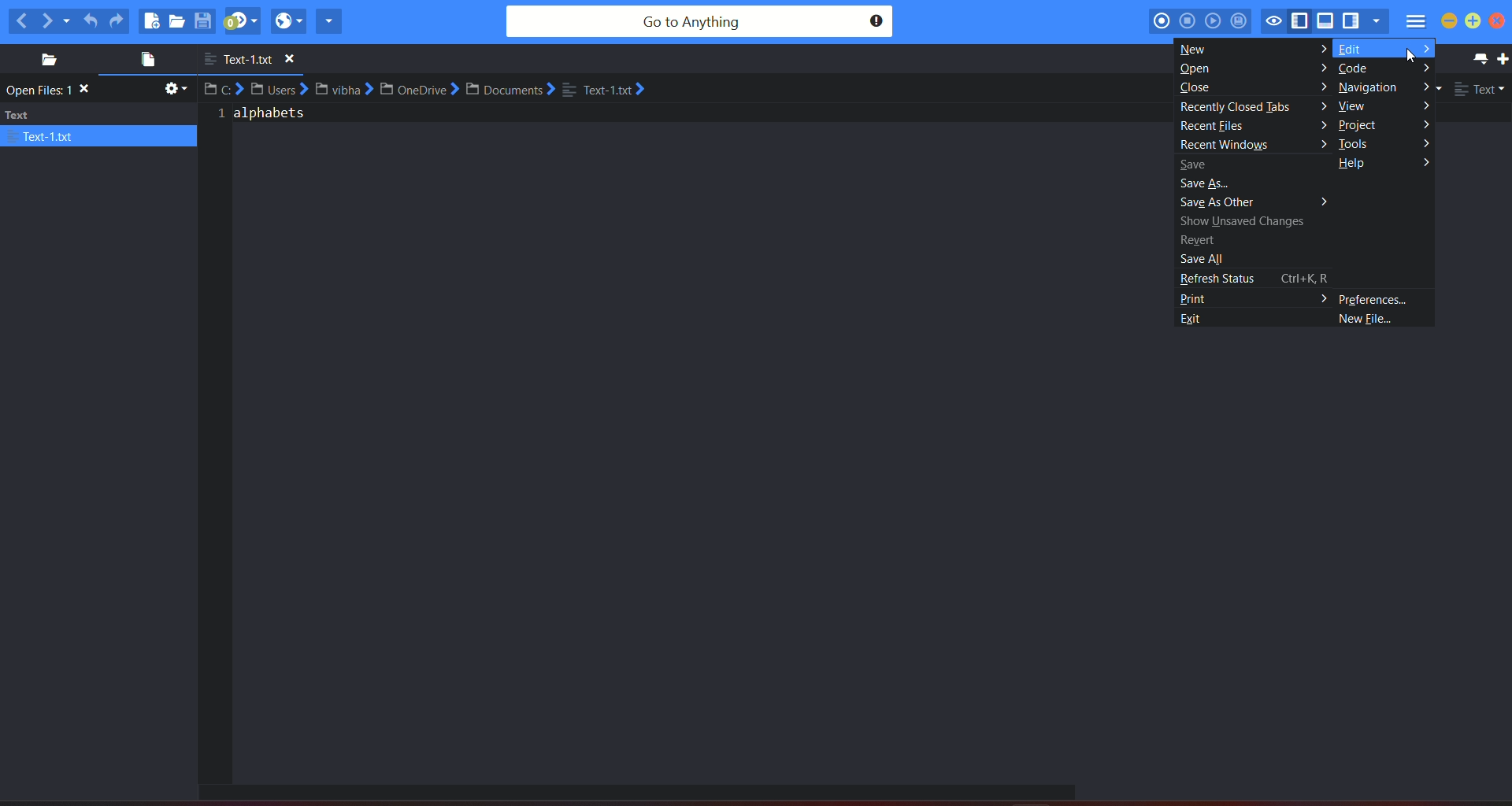 The image size is (1512, 806). I want to click on More, so click(1427, 85).